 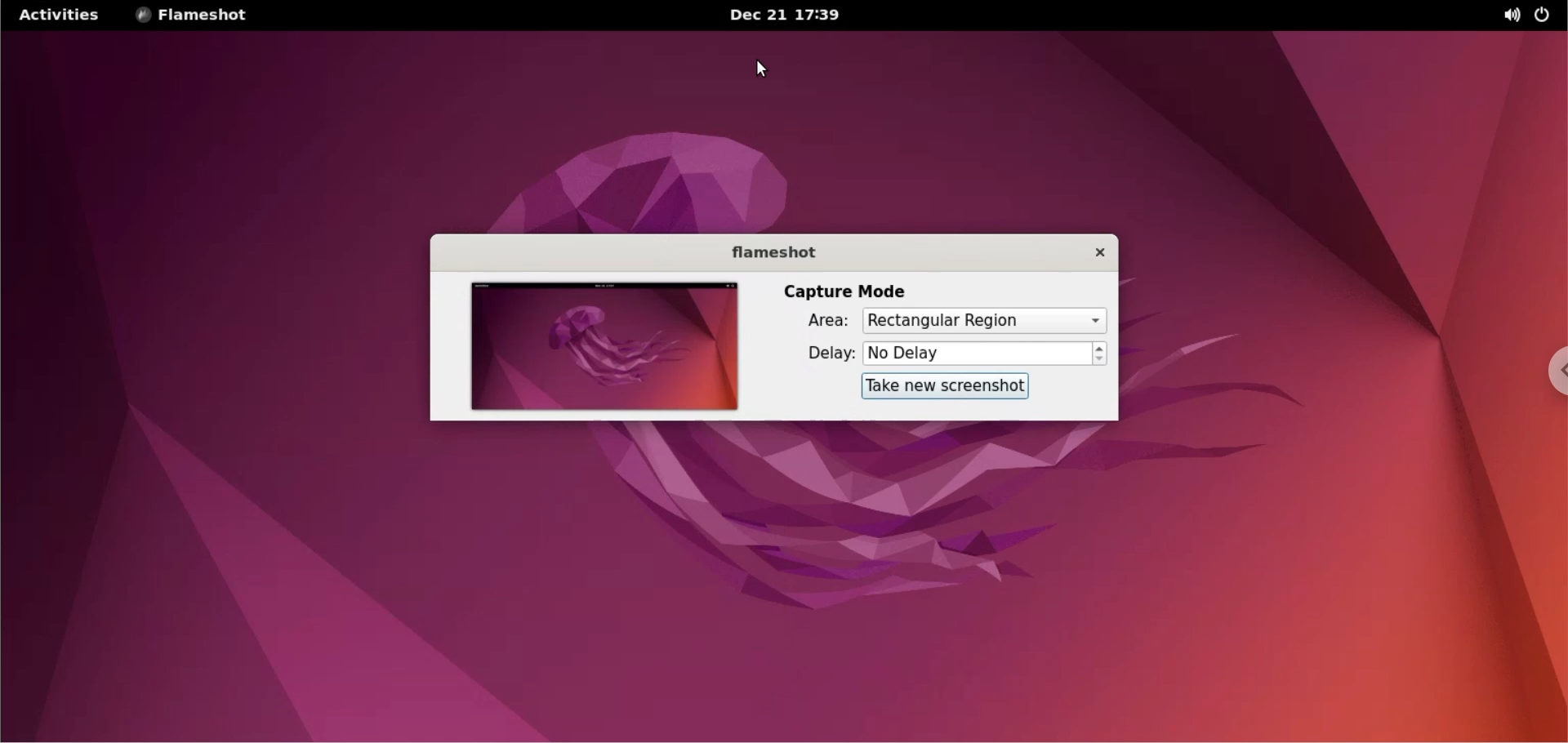 What do you see at coordinates (937, 387) in the screenshot?
I see `take new screenshot` at bounding box center [937, 387].